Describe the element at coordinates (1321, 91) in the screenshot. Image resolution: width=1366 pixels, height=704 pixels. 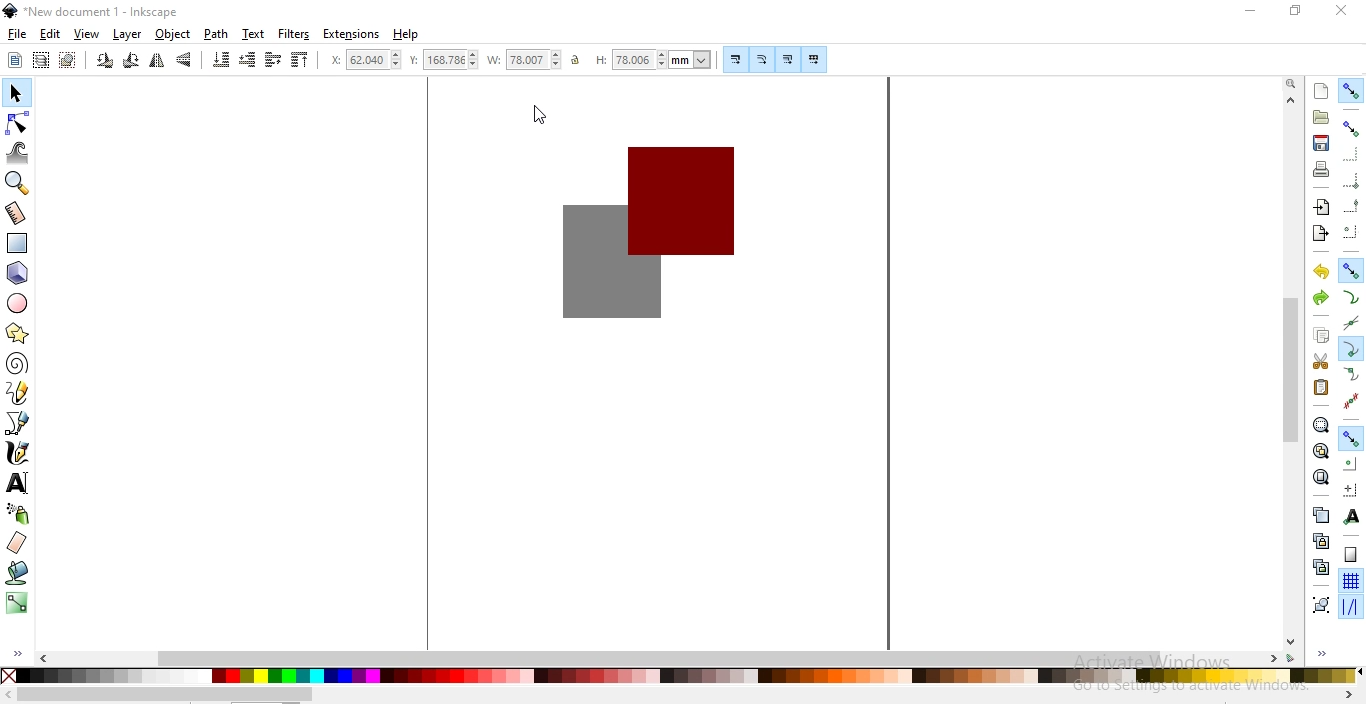
I see `create a document with default background` at that location.